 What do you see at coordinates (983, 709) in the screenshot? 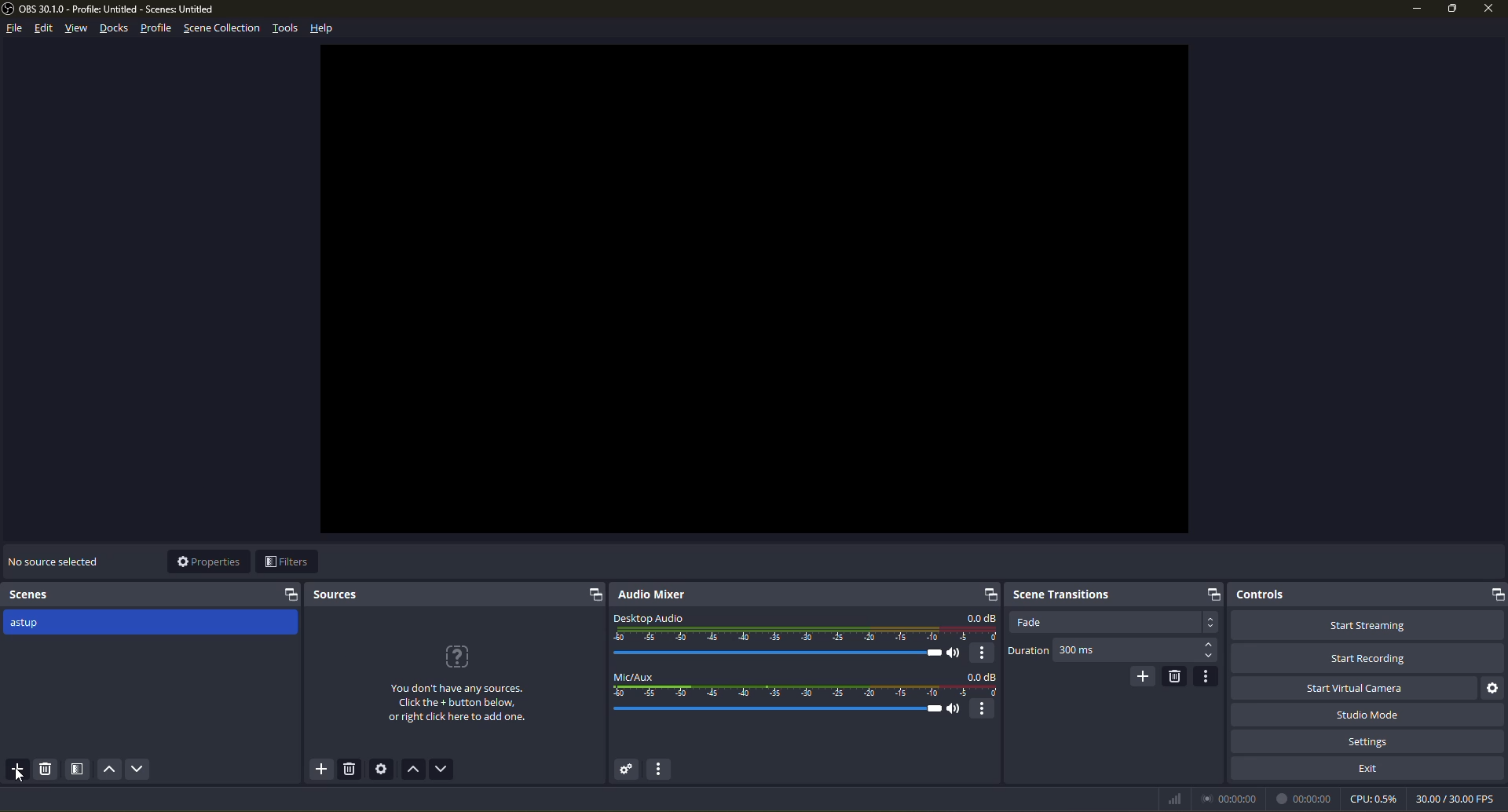
I see `more options` at bounding box center [983, 709].